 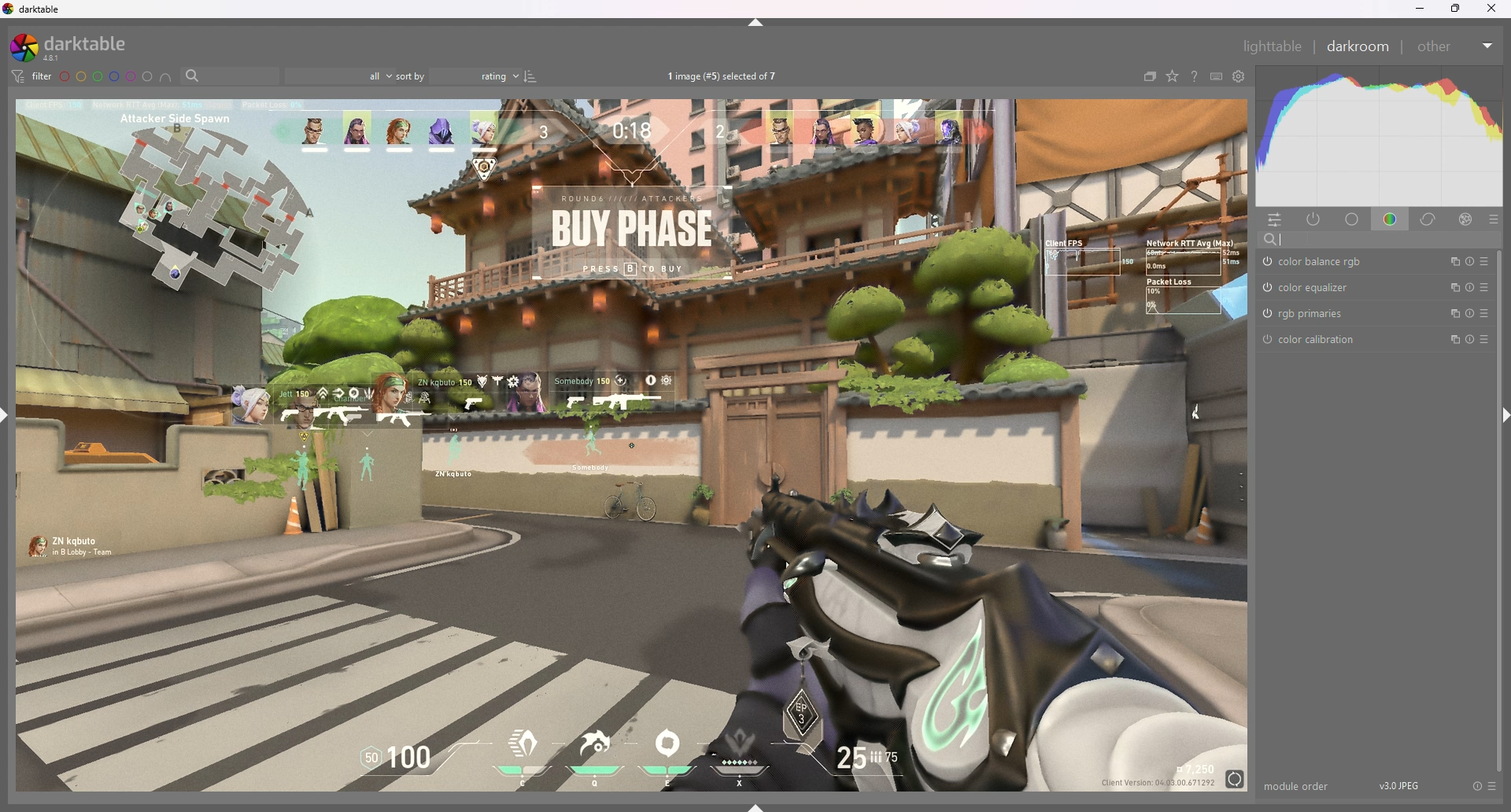 What do you see at coordinates (1471, 339) in the screenshot?
I see `reset` at bounding box center [1471, 339].